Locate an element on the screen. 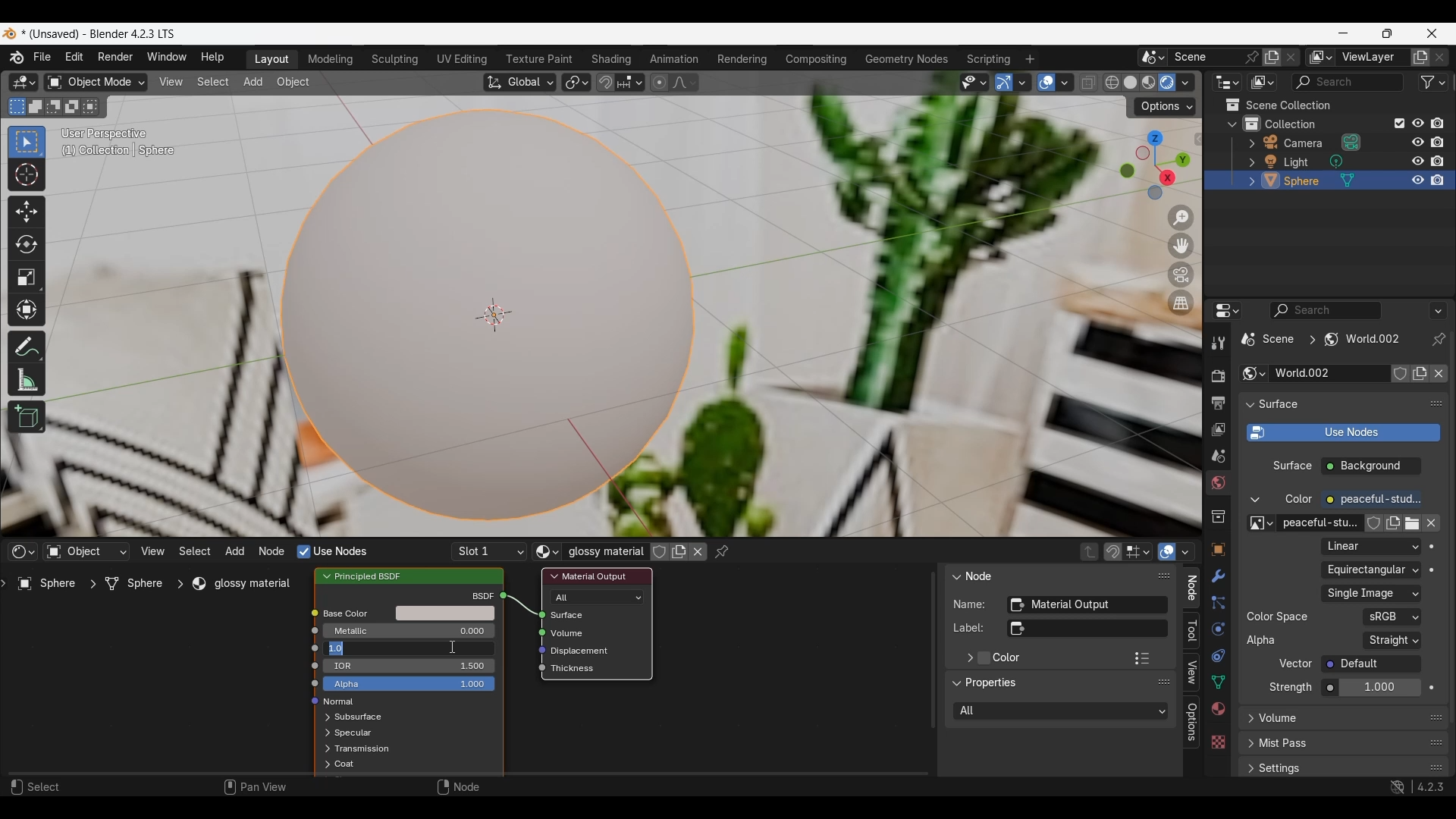 The image size is (1456, 819). Filter search is located at coordinates (1348, 83).